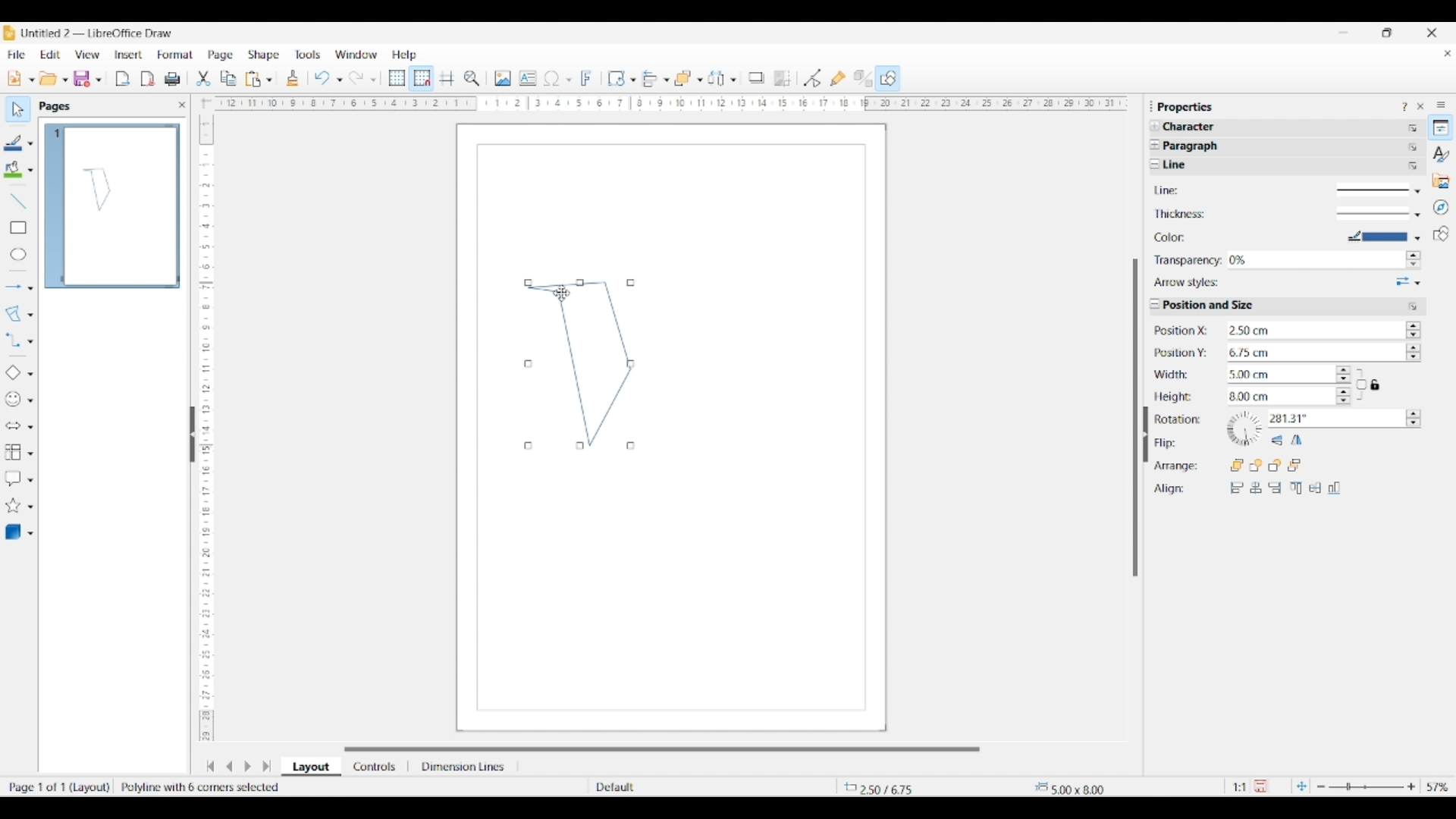 This screenshot has width=1456, height=819. Describe the element at coordinates (13, 479) in the screenshot. I see `Selected callout shape` at that location.